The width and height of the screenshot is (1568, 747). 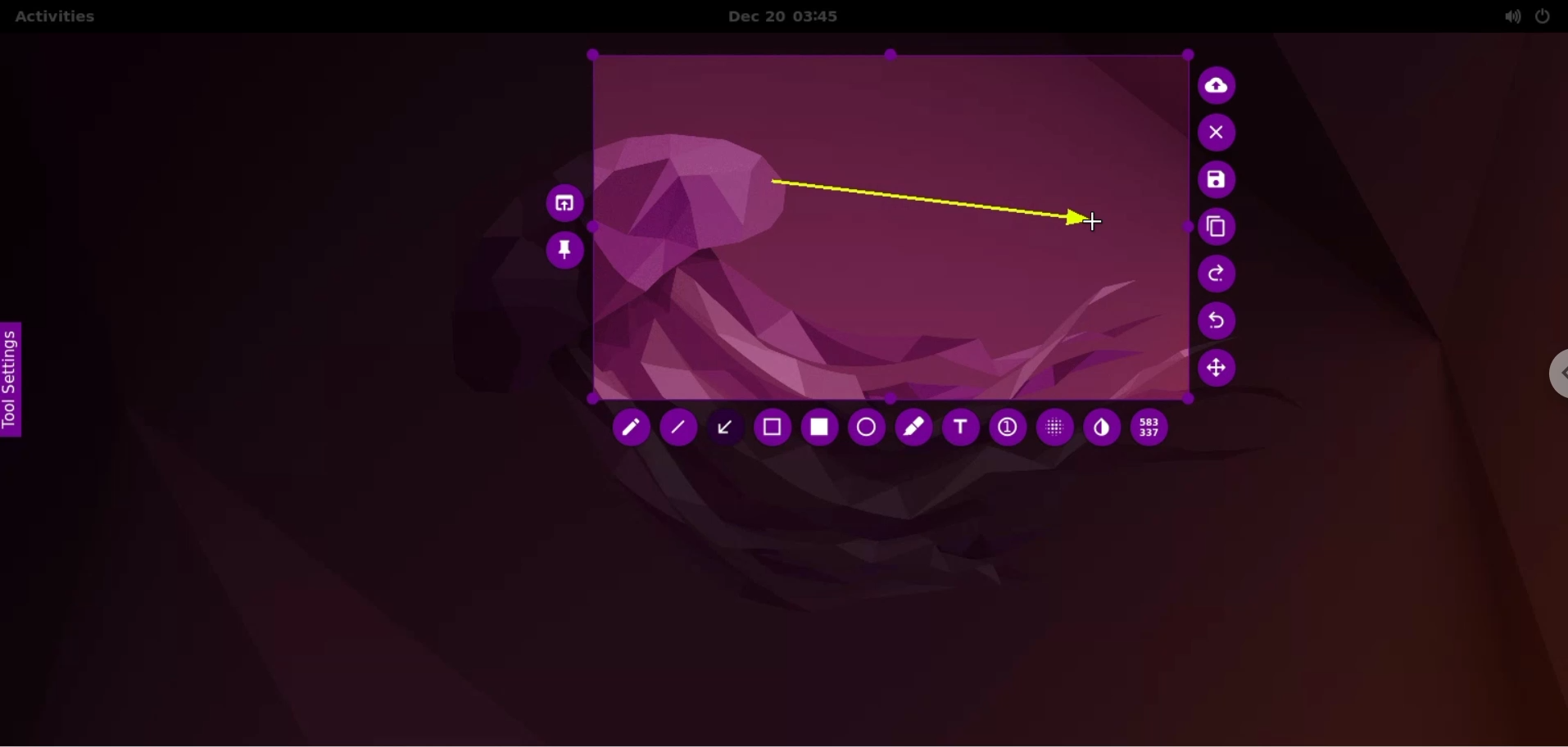 I want to click on arrow, so click(x=920, y=204).